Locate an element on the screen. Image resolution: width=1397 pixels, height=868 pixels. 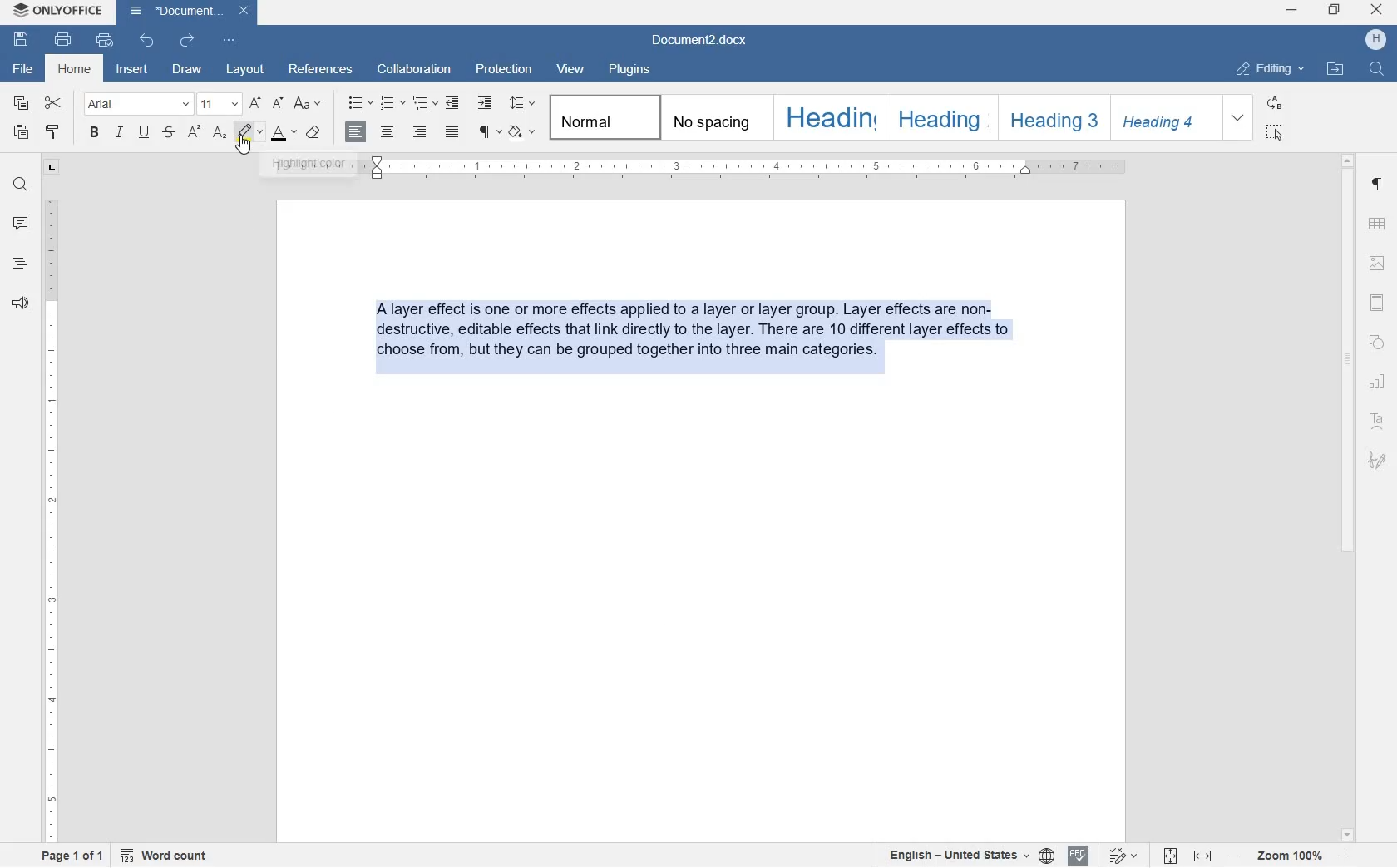
signature is located at coordinates (1378, 460).